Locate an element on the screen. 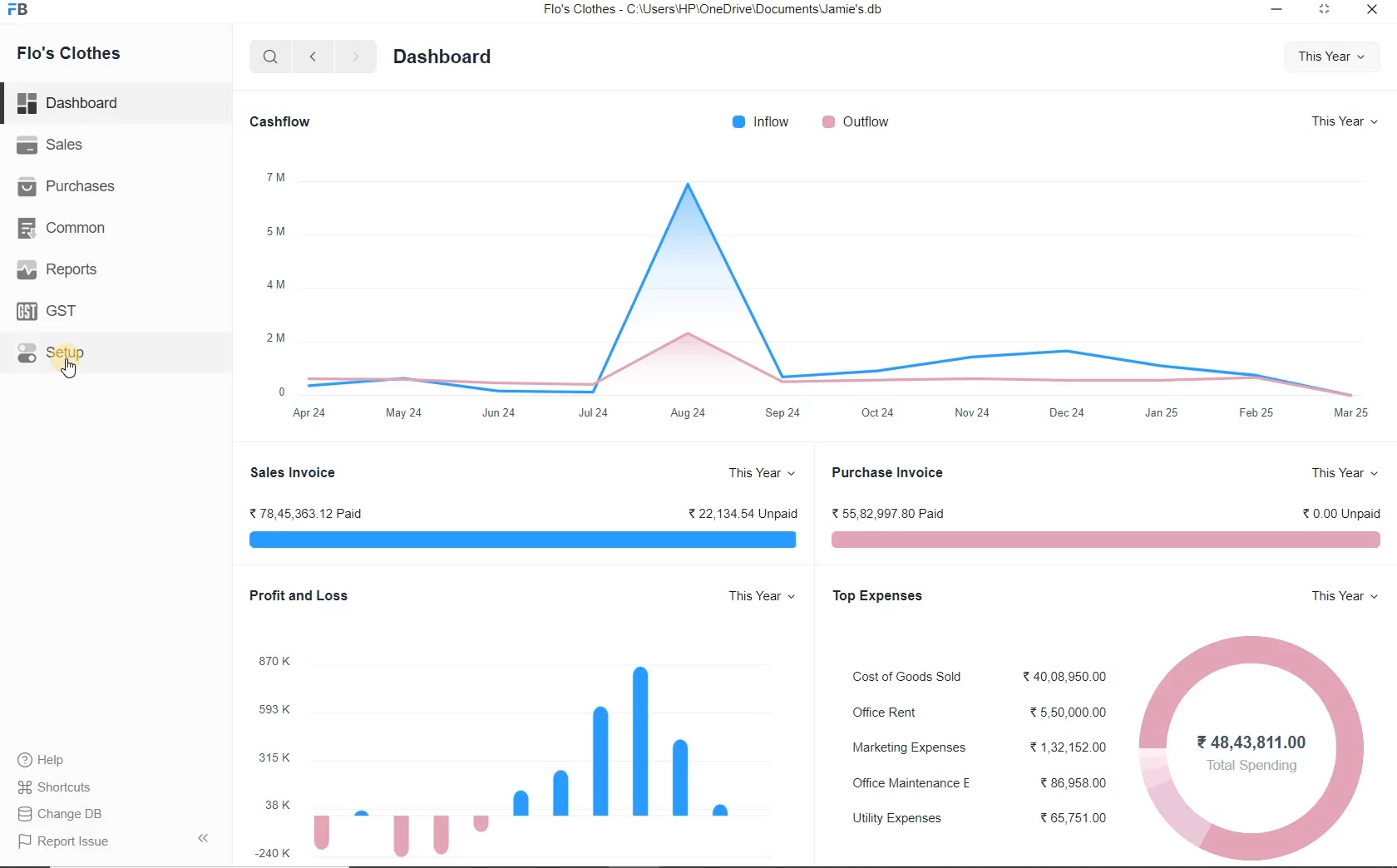 This screenshot has height=868, width=1397. Cost of Goods Sold %40,08,950.00
Office Rent %5,50,000.00
Marketing Expenses 1,32,152.00
Office Maintenance © 86,958.00
Utility Expenses €65751.00 is located at coordinates (980, 744).